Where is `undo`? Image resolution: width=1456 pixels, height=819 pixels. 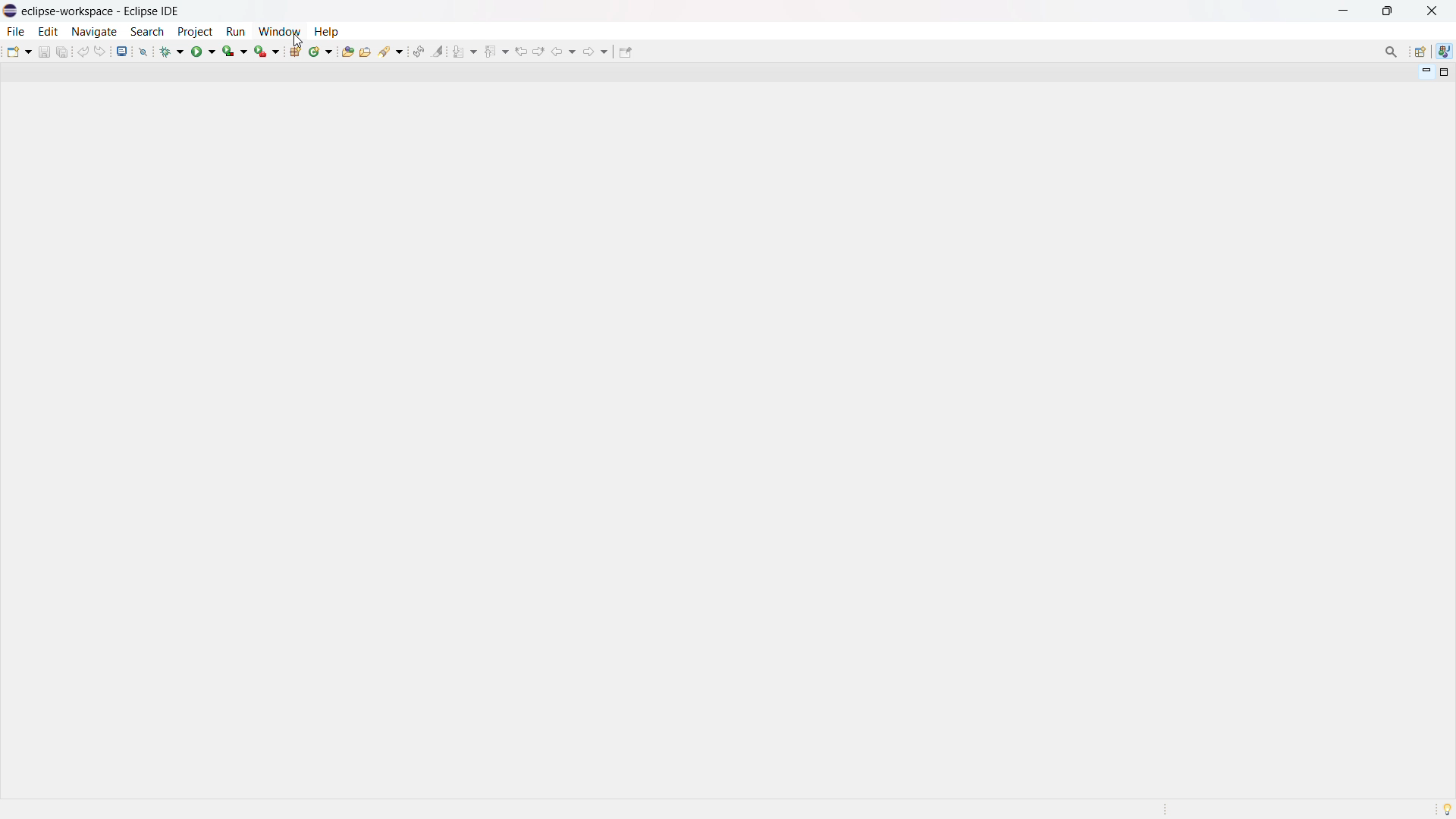 undo is located at coordinates (83, 52).